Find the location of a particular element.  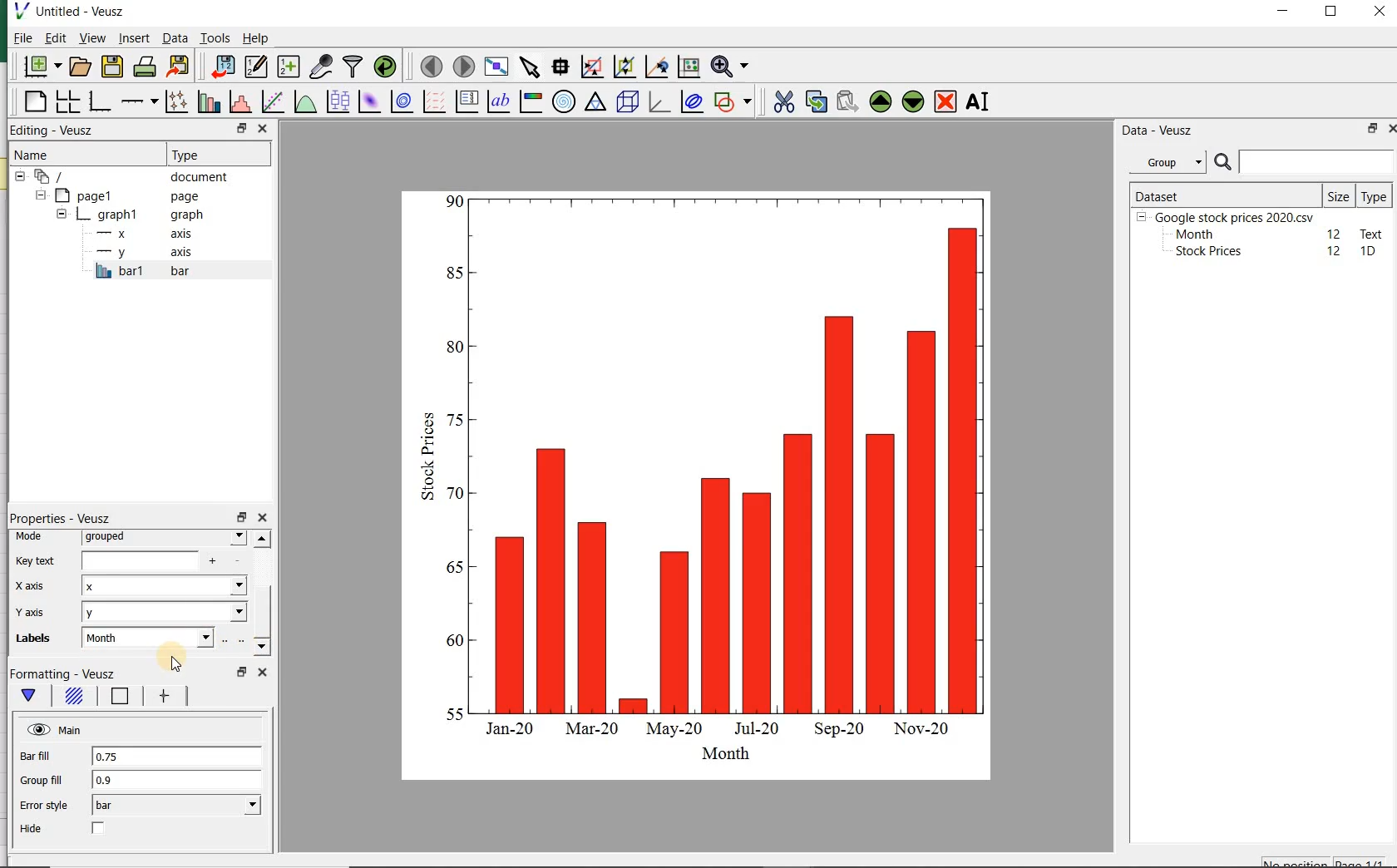

0.9 is located at coordinates (178, 782).